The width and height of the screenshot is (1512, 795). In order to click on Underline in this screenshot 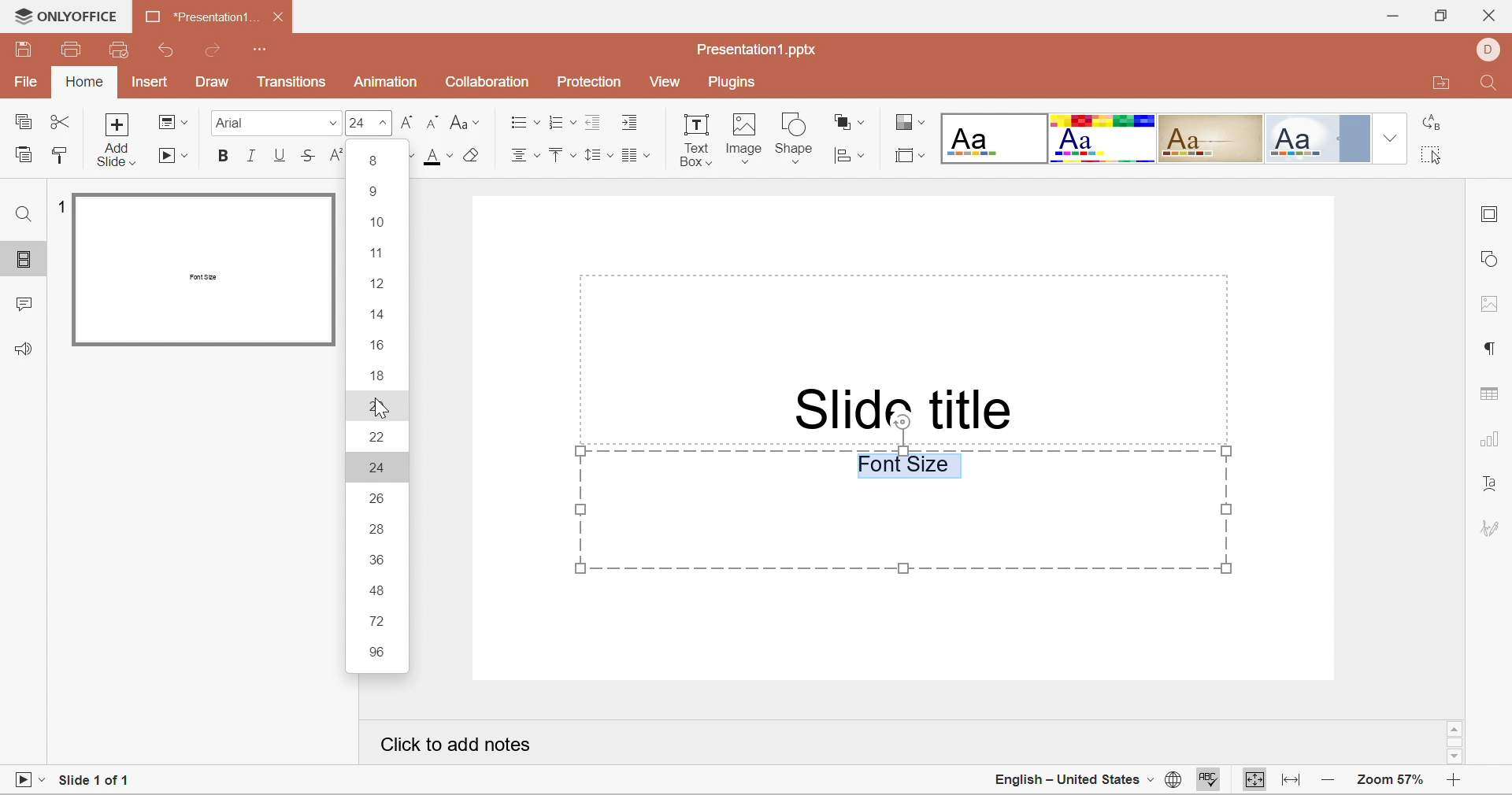, I will do `click(280, 155)`.